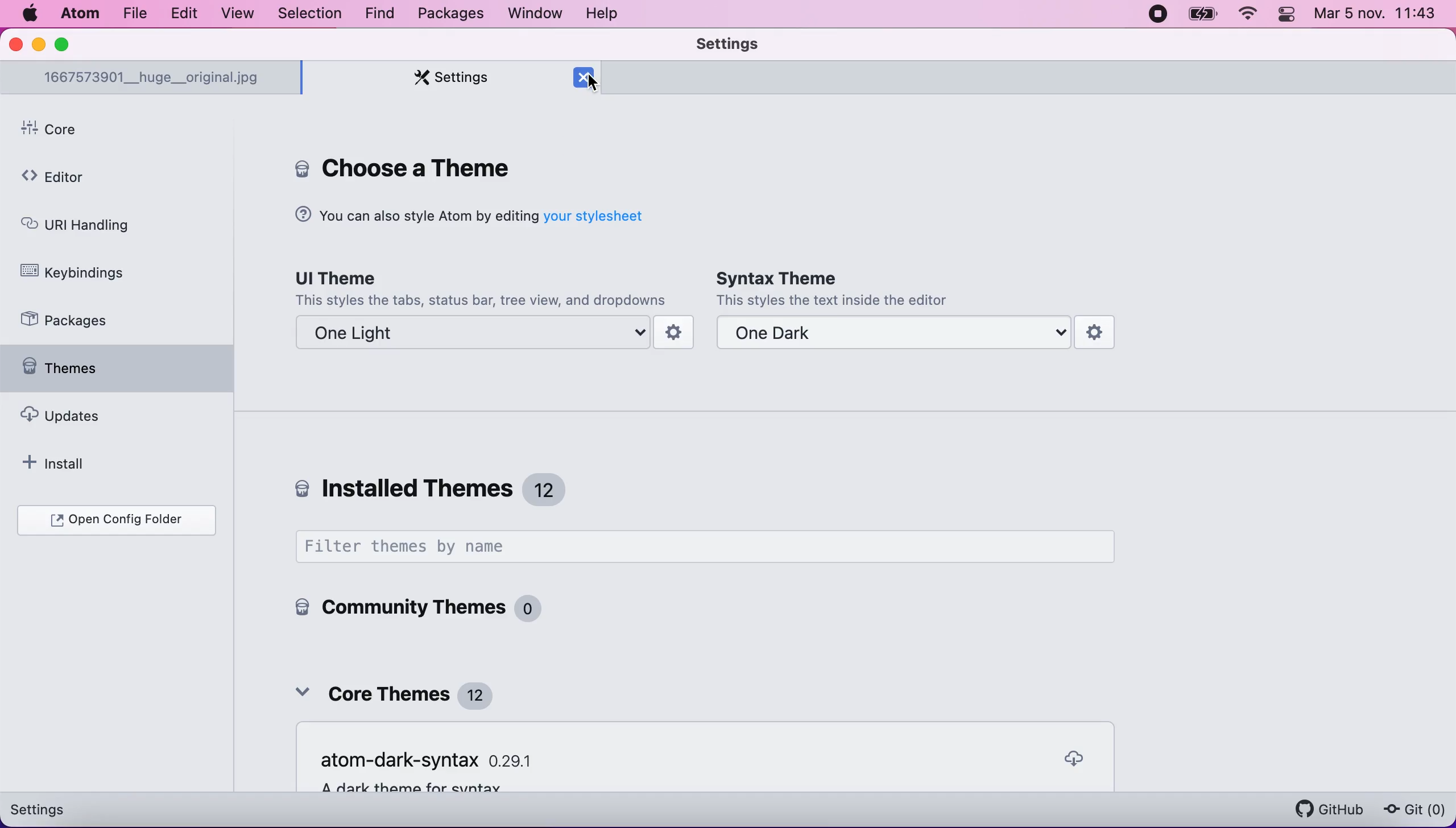 This screenshot has height=828, width=1456. I want to click on file, so click(134, 15).